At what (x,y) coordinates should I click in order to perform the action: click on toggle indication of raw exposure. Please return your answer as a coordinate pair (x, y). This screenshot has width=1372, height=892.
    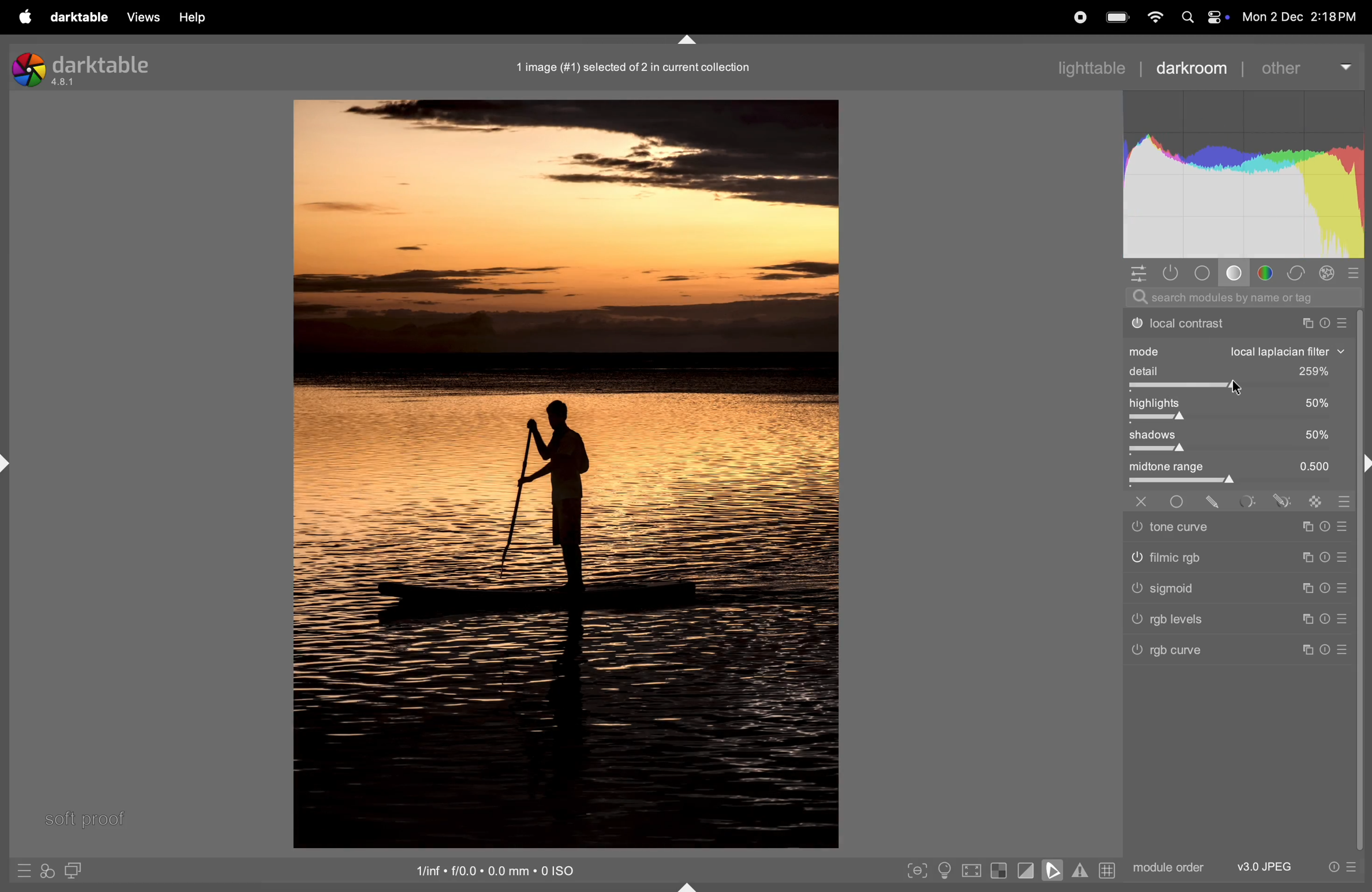
    Looking at the image, I should click on (1000, 870).